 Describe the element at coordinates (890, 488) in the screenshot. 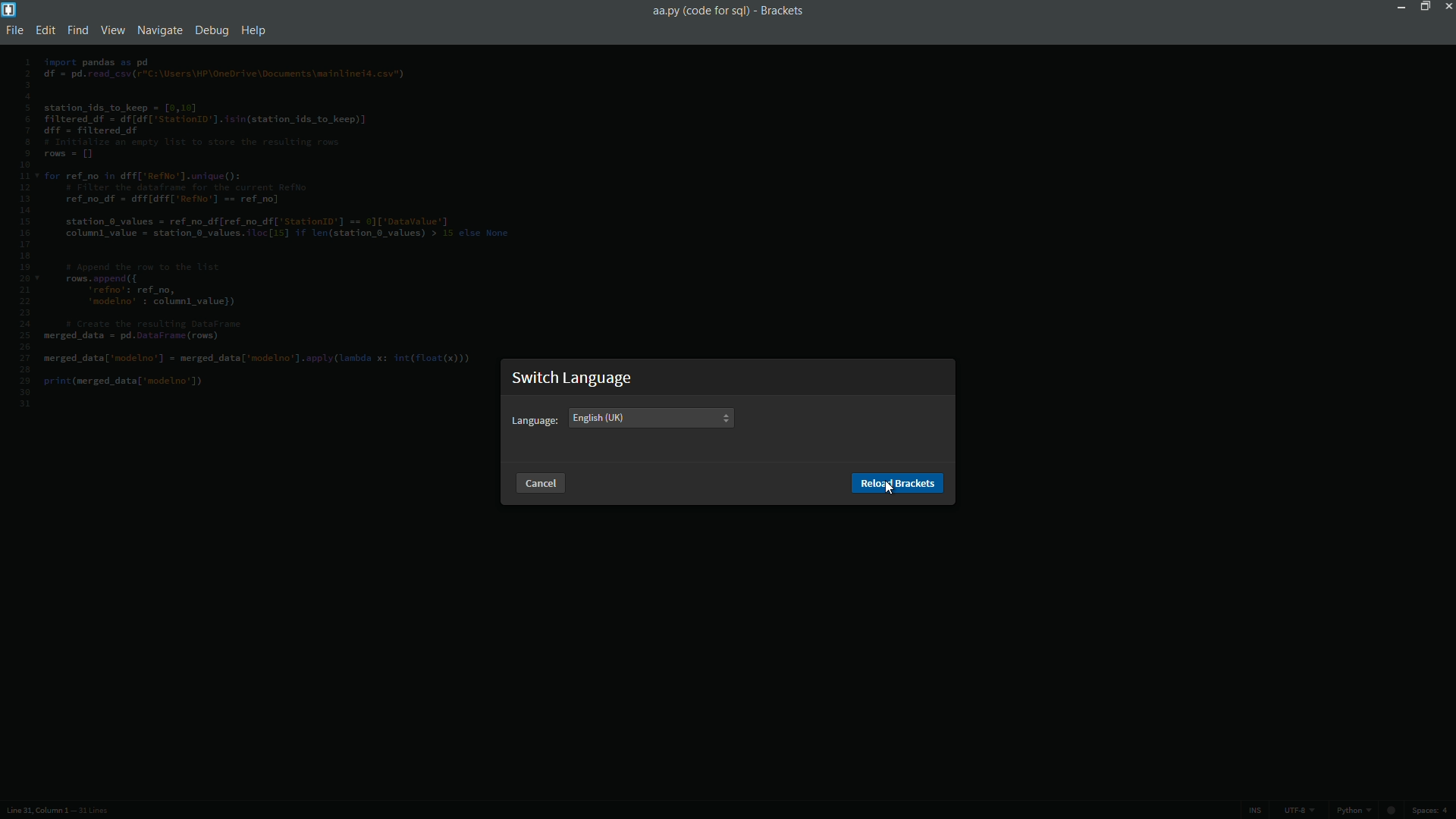

I see `cursor` at that location.